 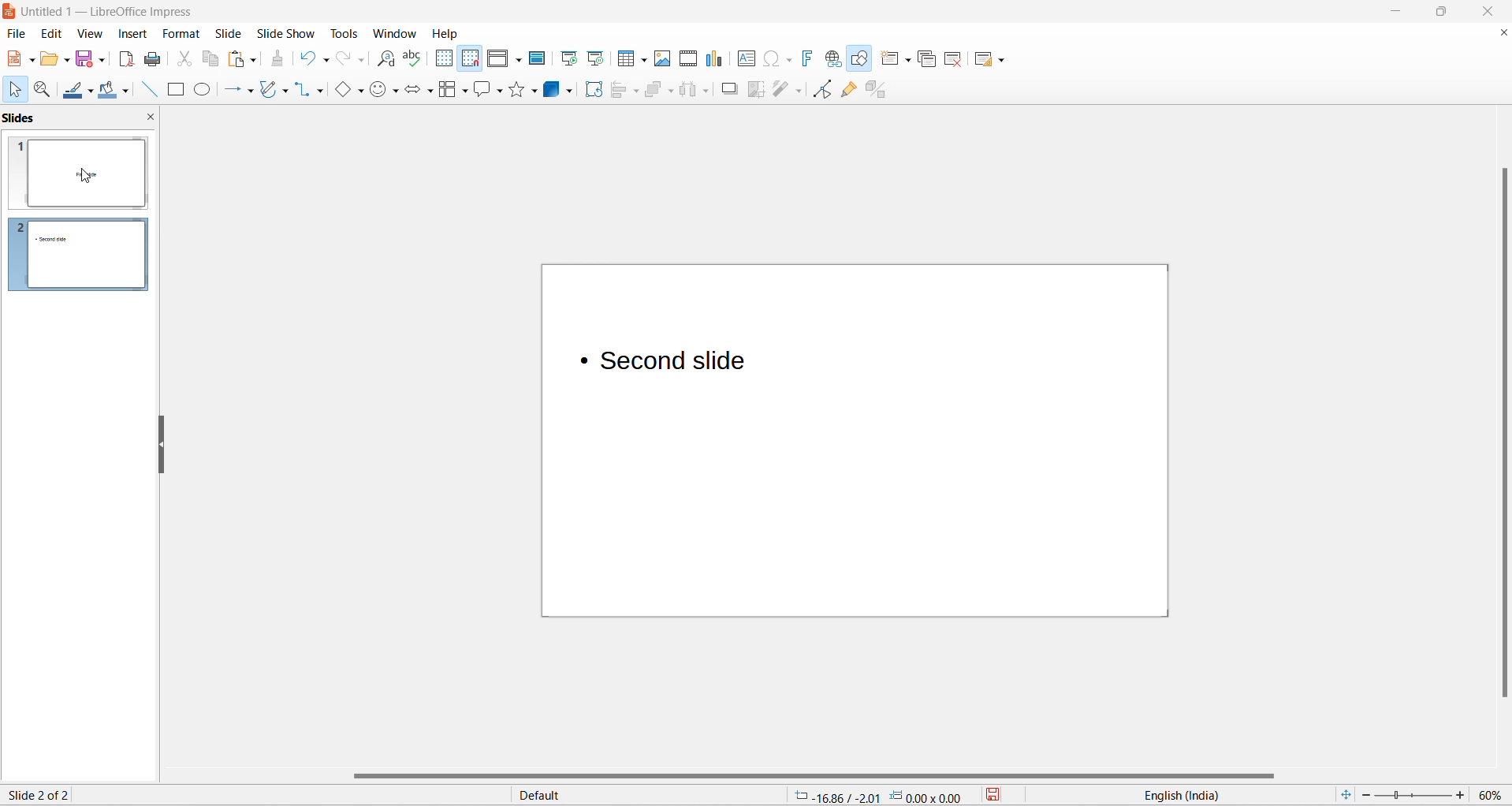 What do you see at coordinates (1501, 35) in the screenshot?
I see `close document` at bounding box center [1501, 35].